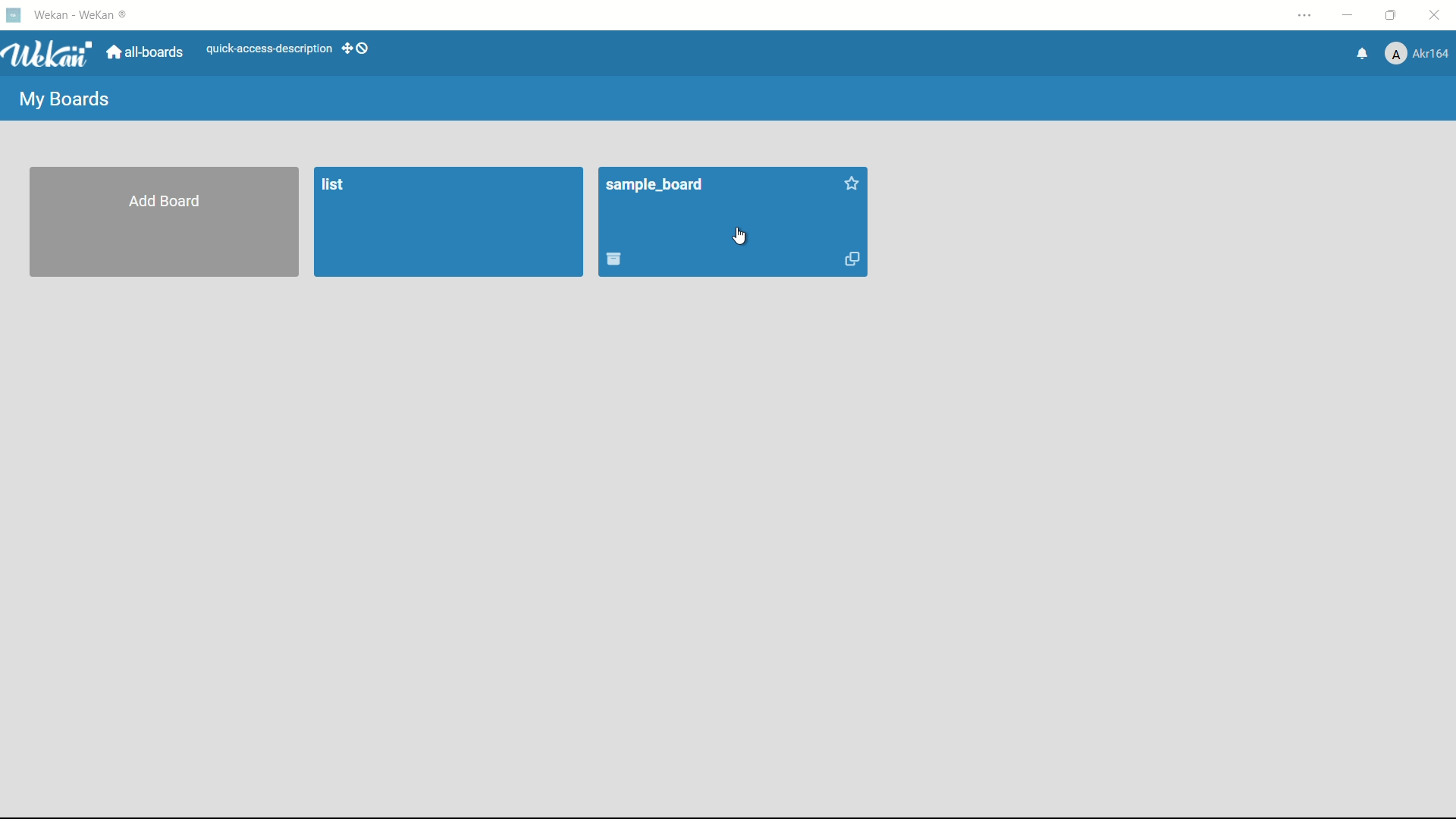 The height and width of the screenshot is (819, 1456). I want to click on quick-access-description, so click(269, 49).